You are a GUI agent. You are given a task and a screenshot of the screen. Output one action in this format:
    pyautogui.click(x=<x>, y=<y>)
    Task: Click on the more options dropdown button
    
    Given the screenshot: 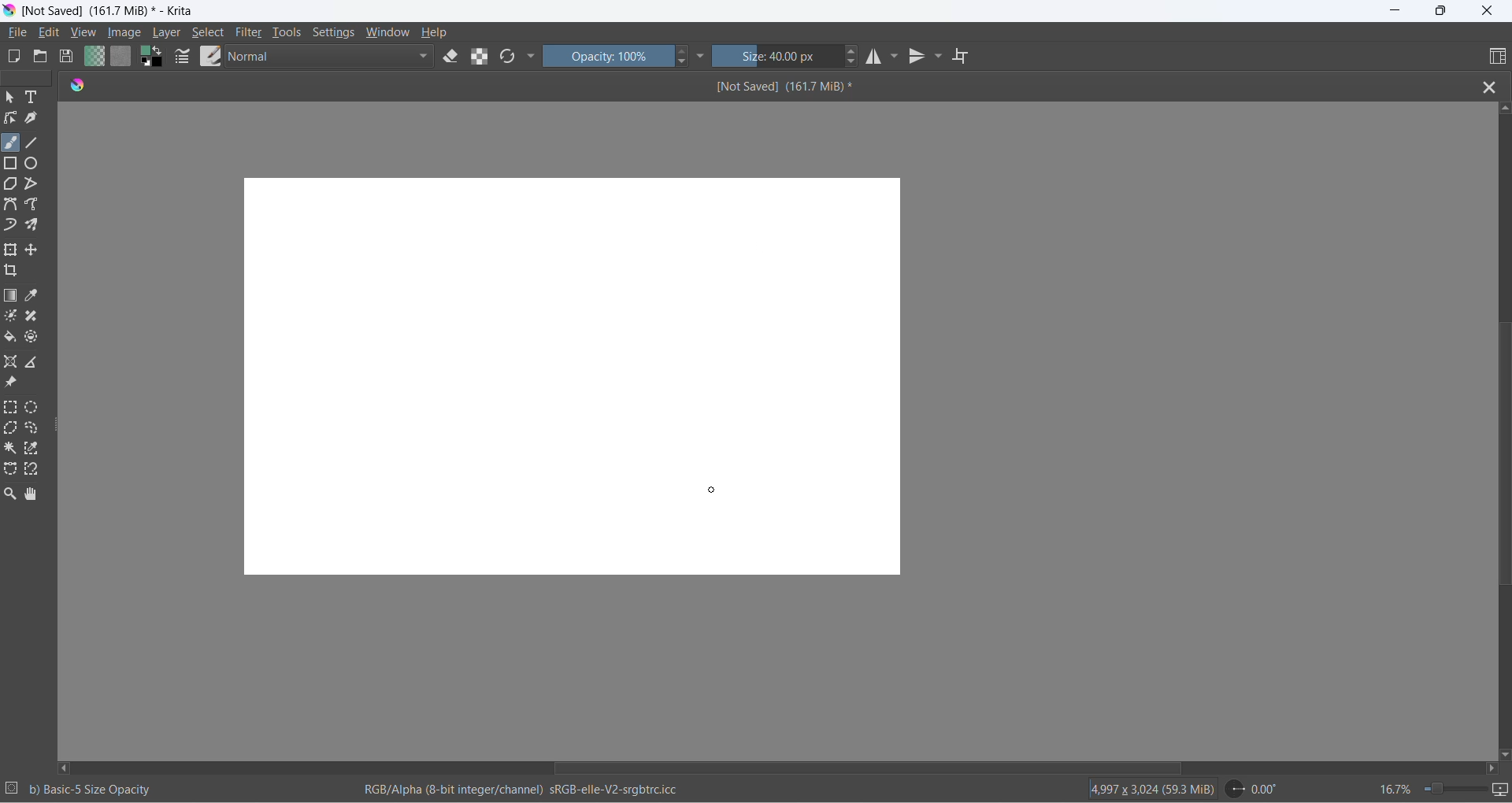 What is the action you would take?
    pyautogui.click(x=531, y=57)
    